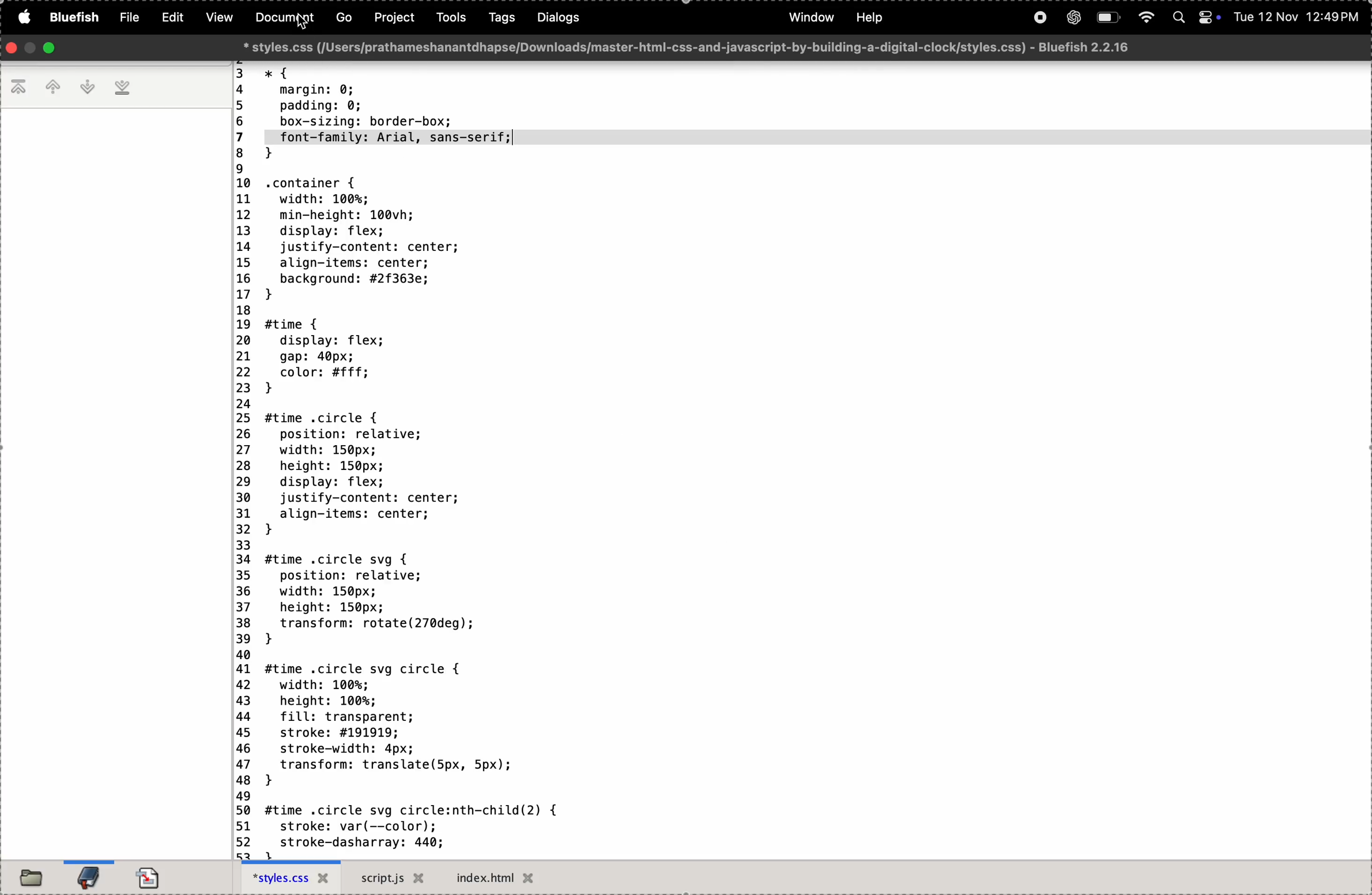 The width and height of the screenshot is (1372, 895). What do you see at coordinates (813, 19) in the screenshot?
I see `window` at bounding box center [813, 19].